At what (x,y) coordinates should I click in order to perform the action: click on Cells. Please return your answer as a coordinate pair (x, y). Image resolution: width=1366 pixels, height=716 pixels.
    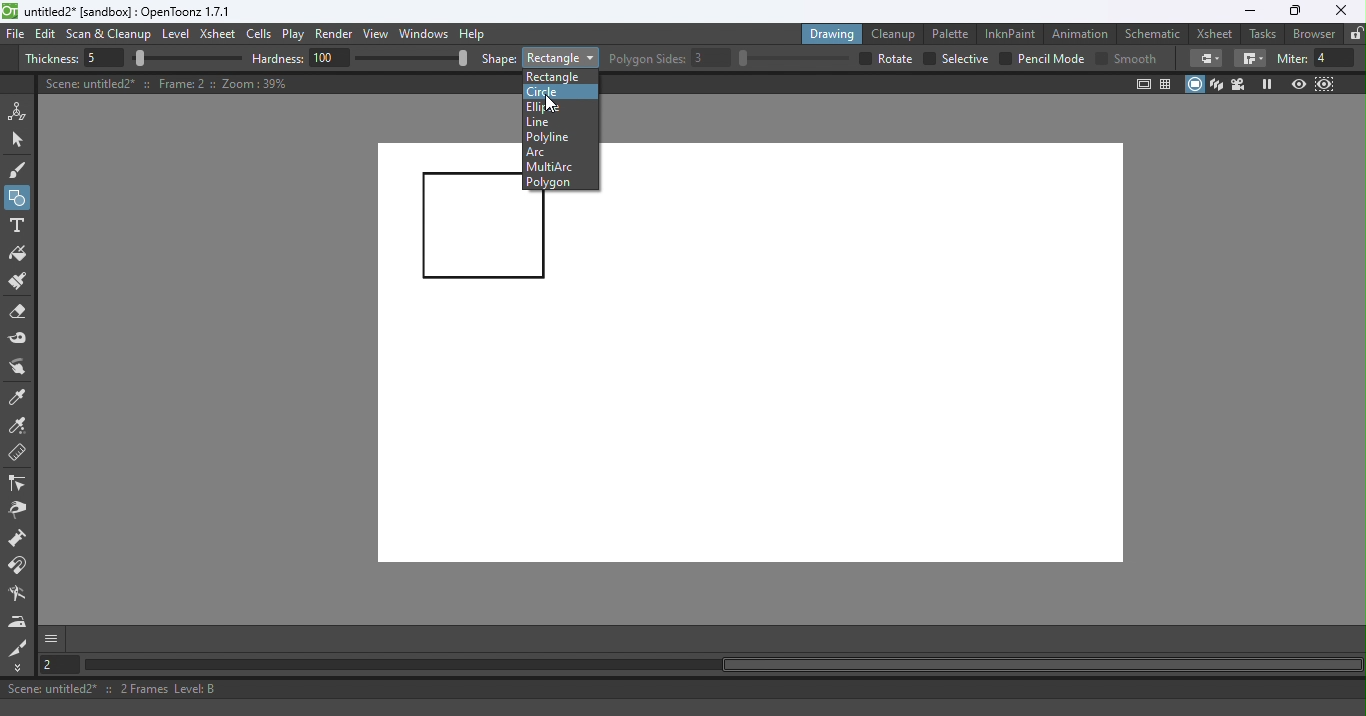
    Looking at the image, I should click on (262, 35).